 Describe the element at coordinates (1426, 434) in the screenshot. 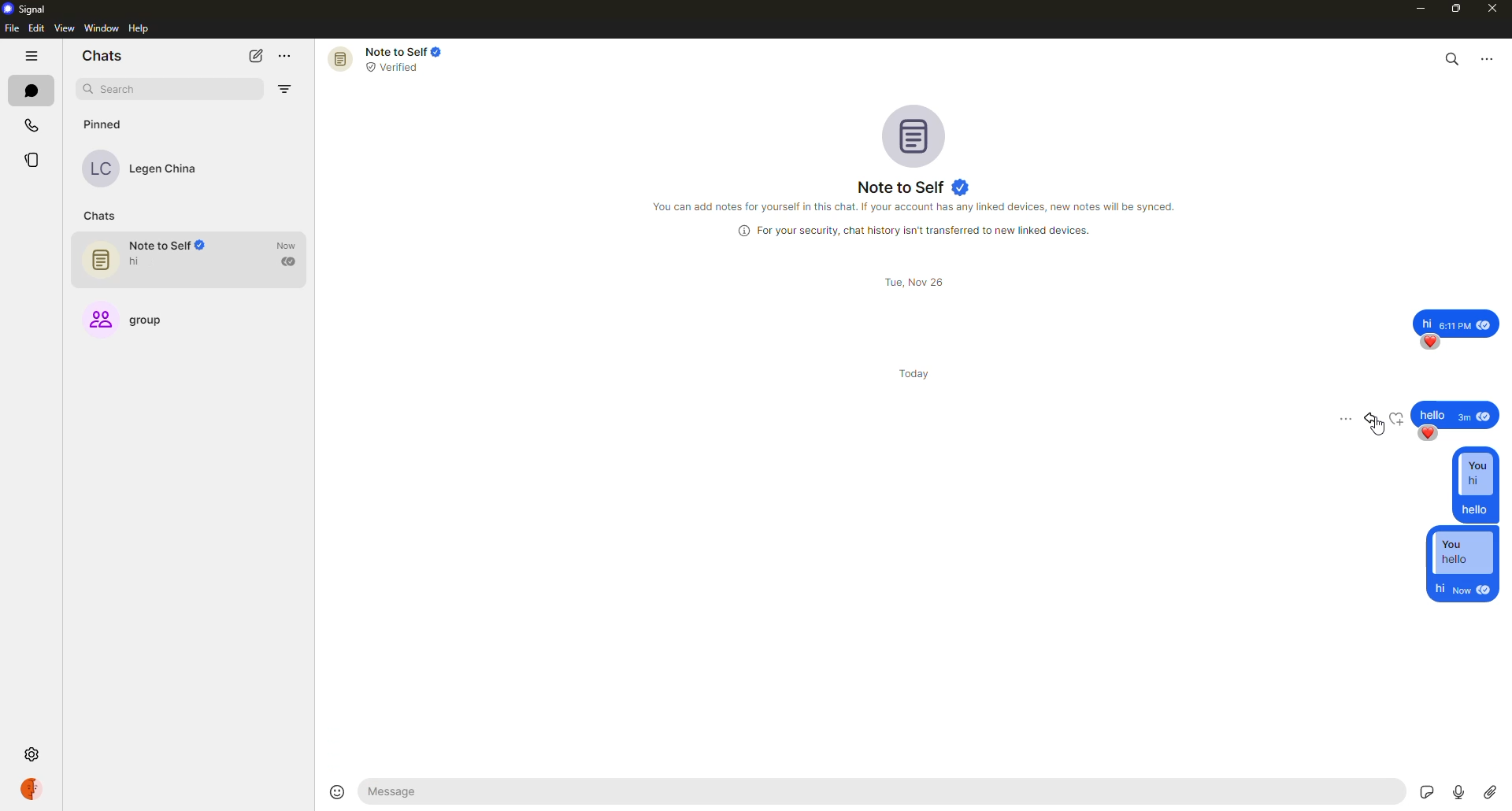

I see `reaction` at that location.